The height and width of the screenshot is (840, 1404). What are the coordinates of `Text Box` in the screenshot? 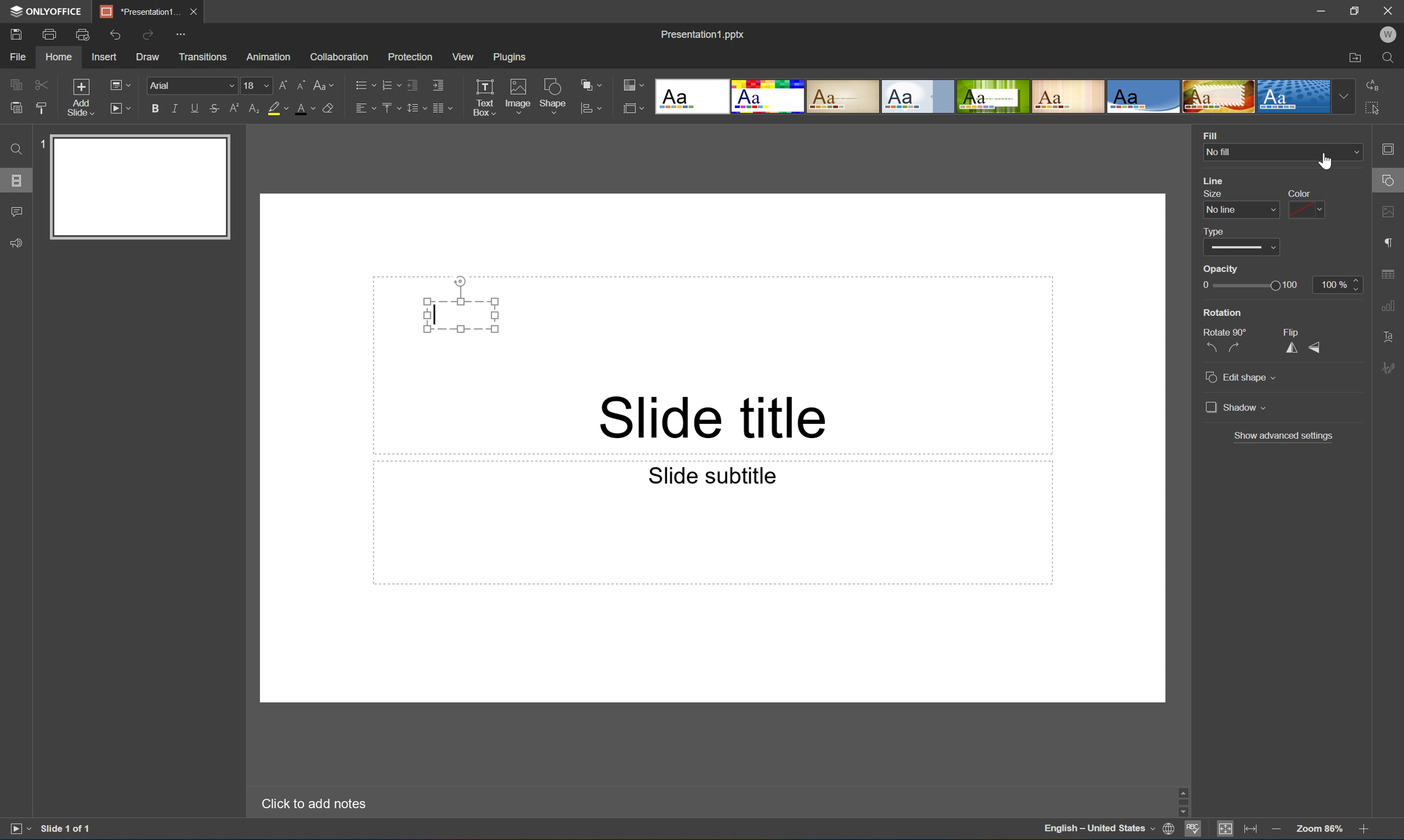 It's located at (461, 314).